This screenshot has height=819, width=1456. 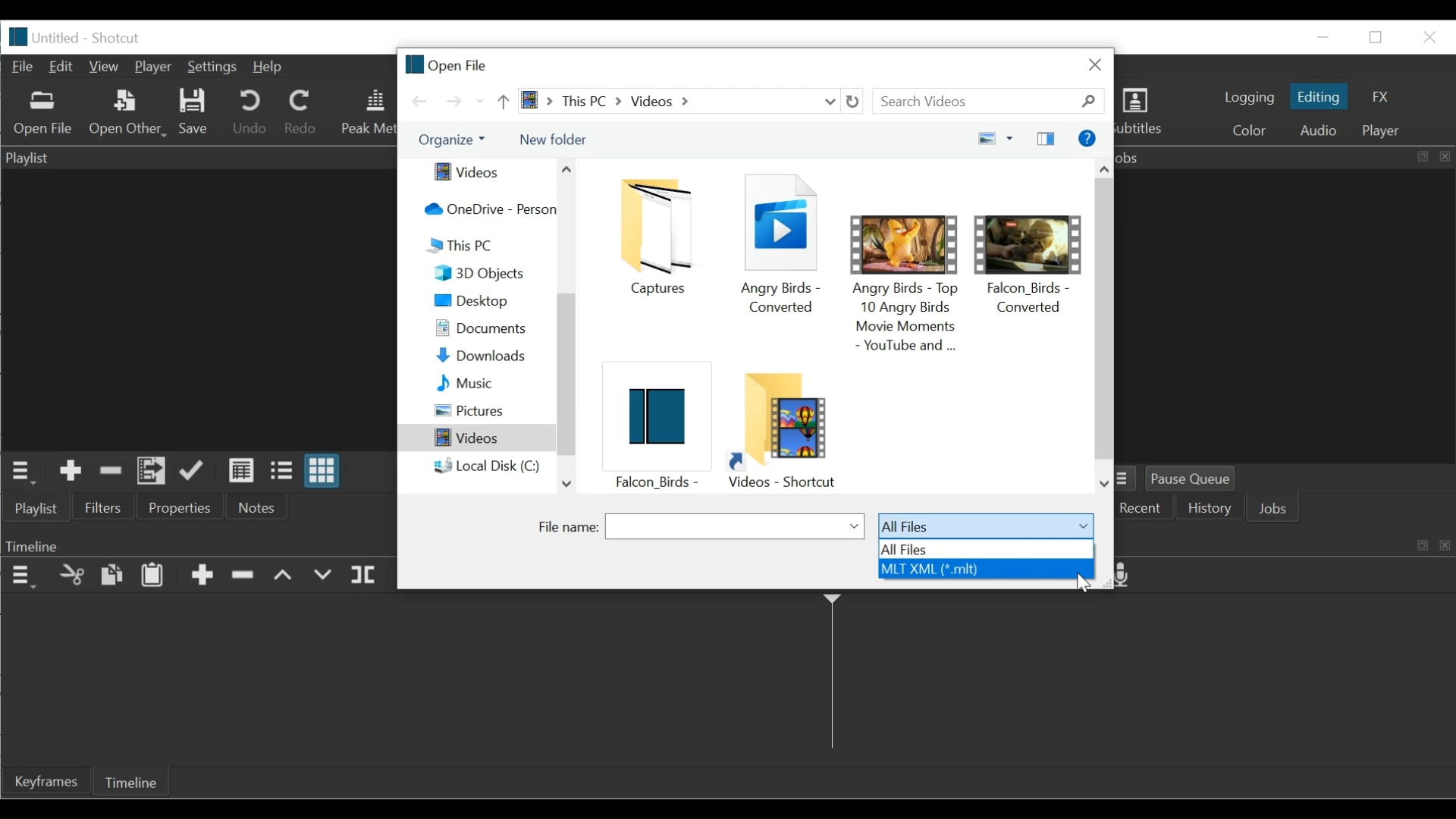 What do you see at coordinates (491, 356) in the screenshot?
I see `Downloads` at bounding box center [491, 356].